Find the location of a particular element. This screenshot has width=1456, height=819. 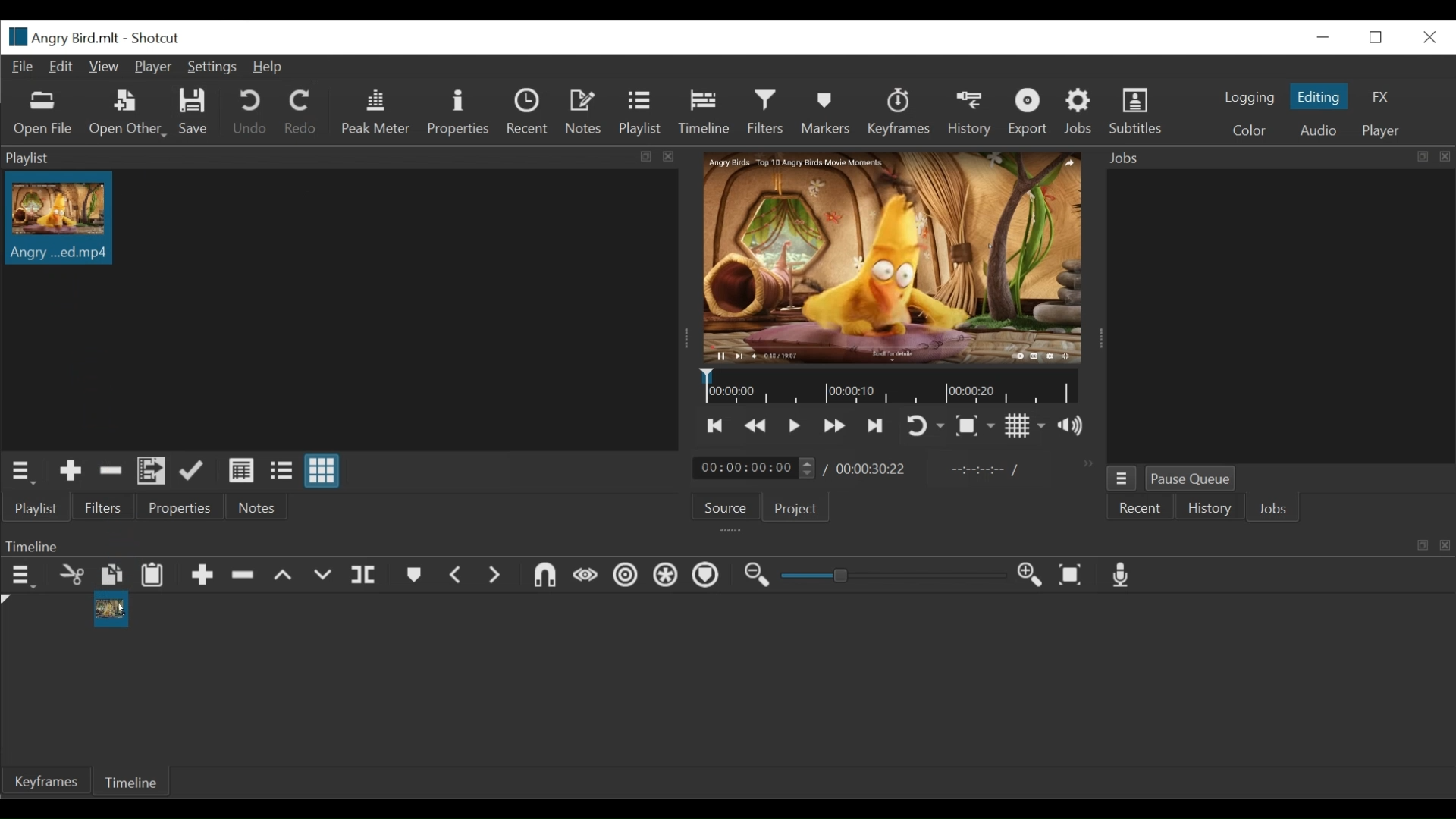

split payhead is located at coordinates (363, 575).